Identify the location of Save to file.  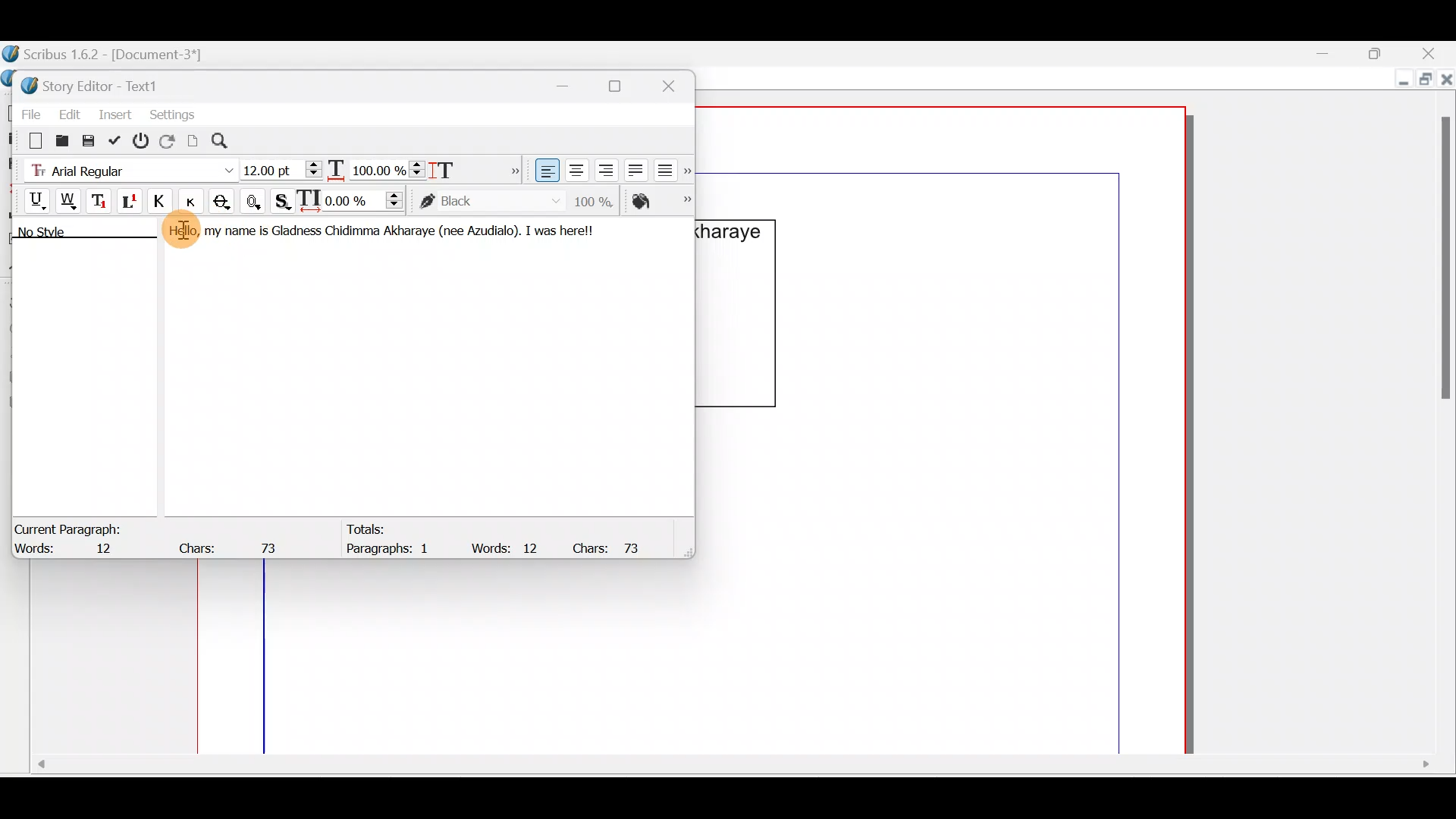
(89, 140).